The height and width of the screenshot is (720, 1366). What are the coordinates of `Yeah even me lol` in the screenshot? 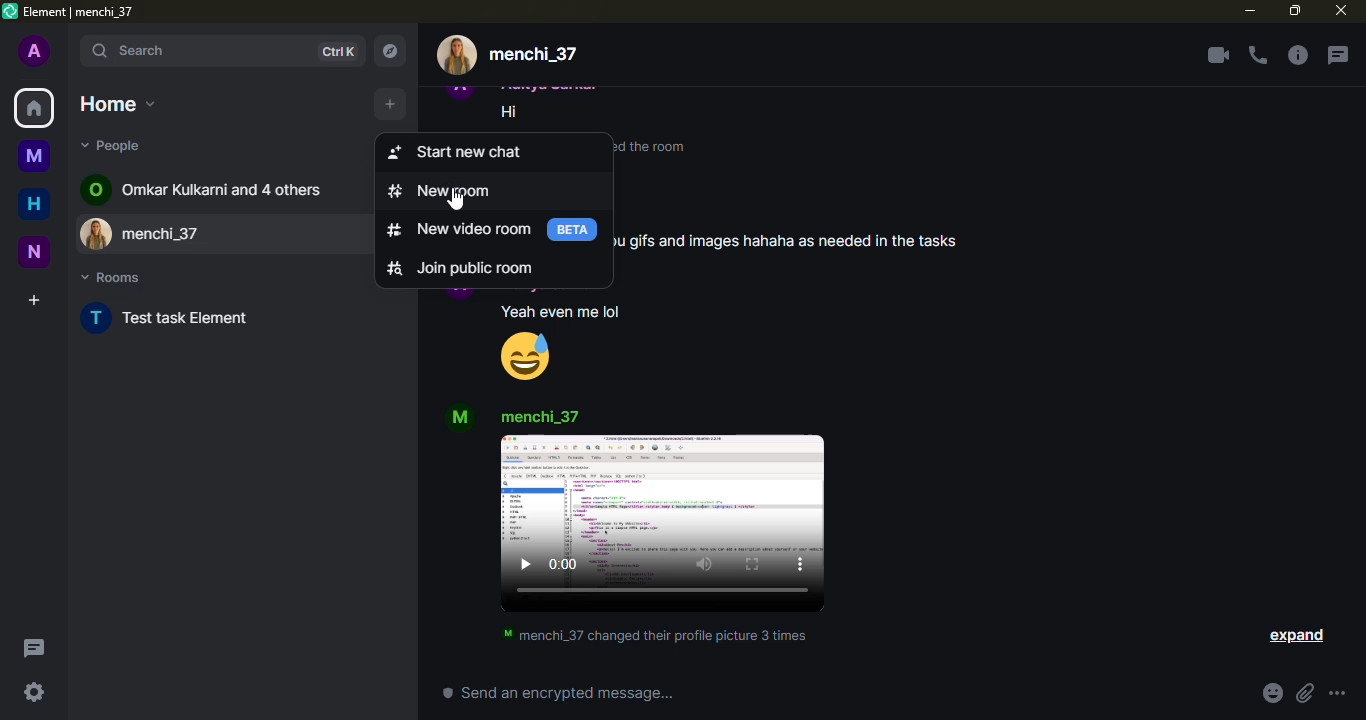 It's located at (561, 312).